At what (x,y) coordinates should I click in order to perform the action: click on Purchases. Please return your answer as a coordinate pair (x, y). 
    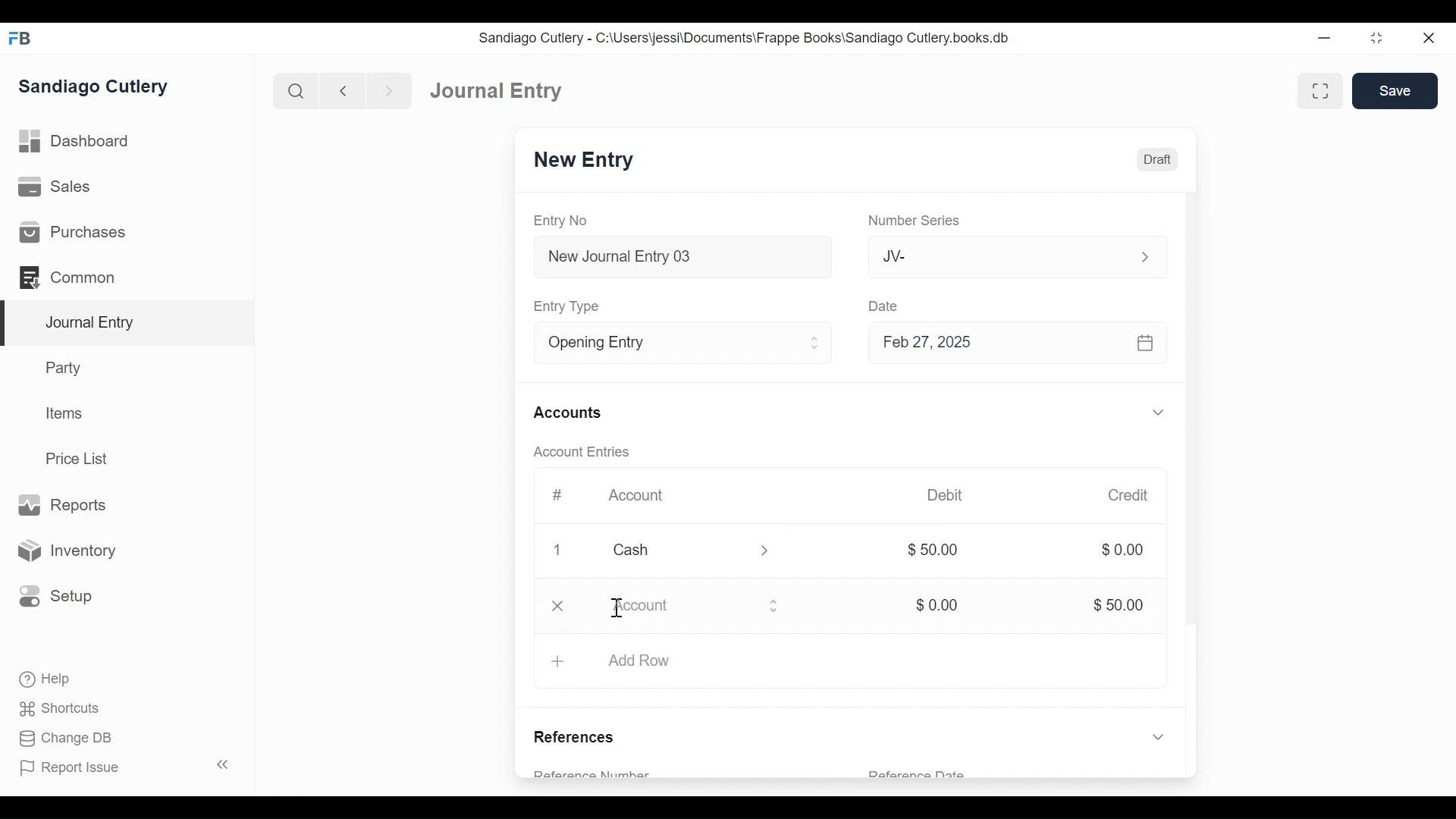
    Looking at the image, I should click on (75, 232).